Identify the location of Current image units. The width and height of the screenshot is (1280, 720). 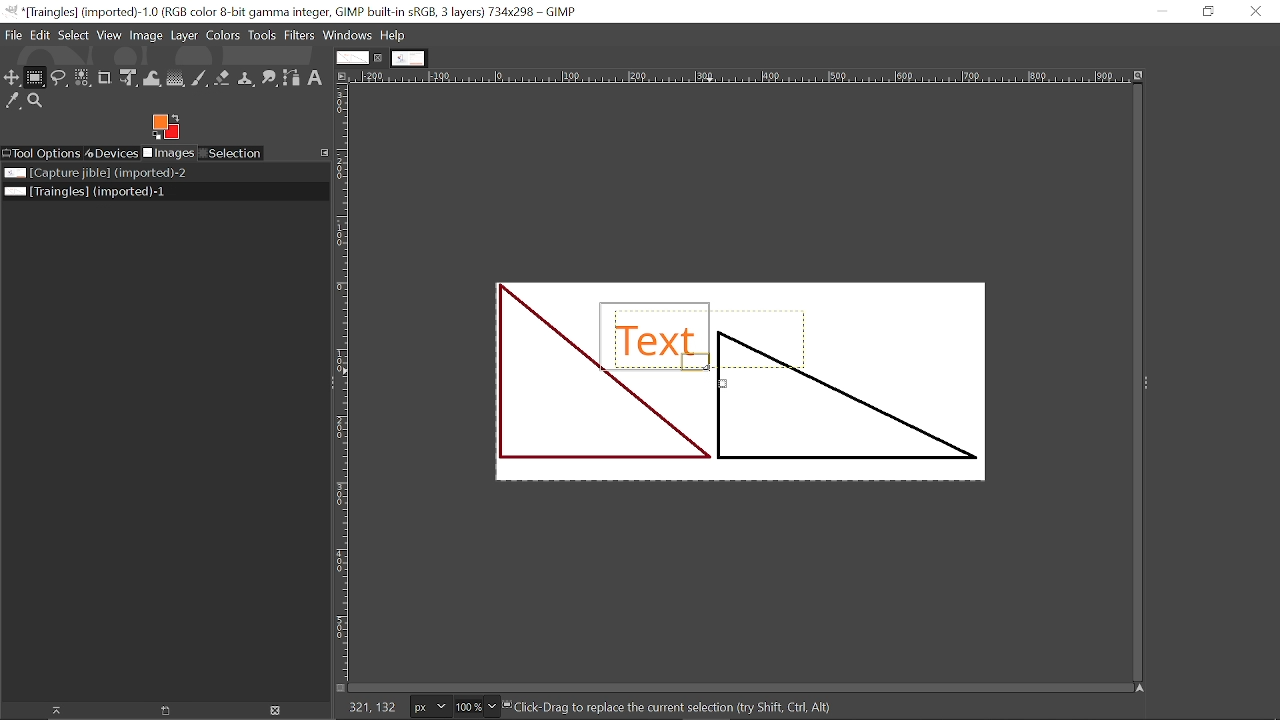
(425, 705).